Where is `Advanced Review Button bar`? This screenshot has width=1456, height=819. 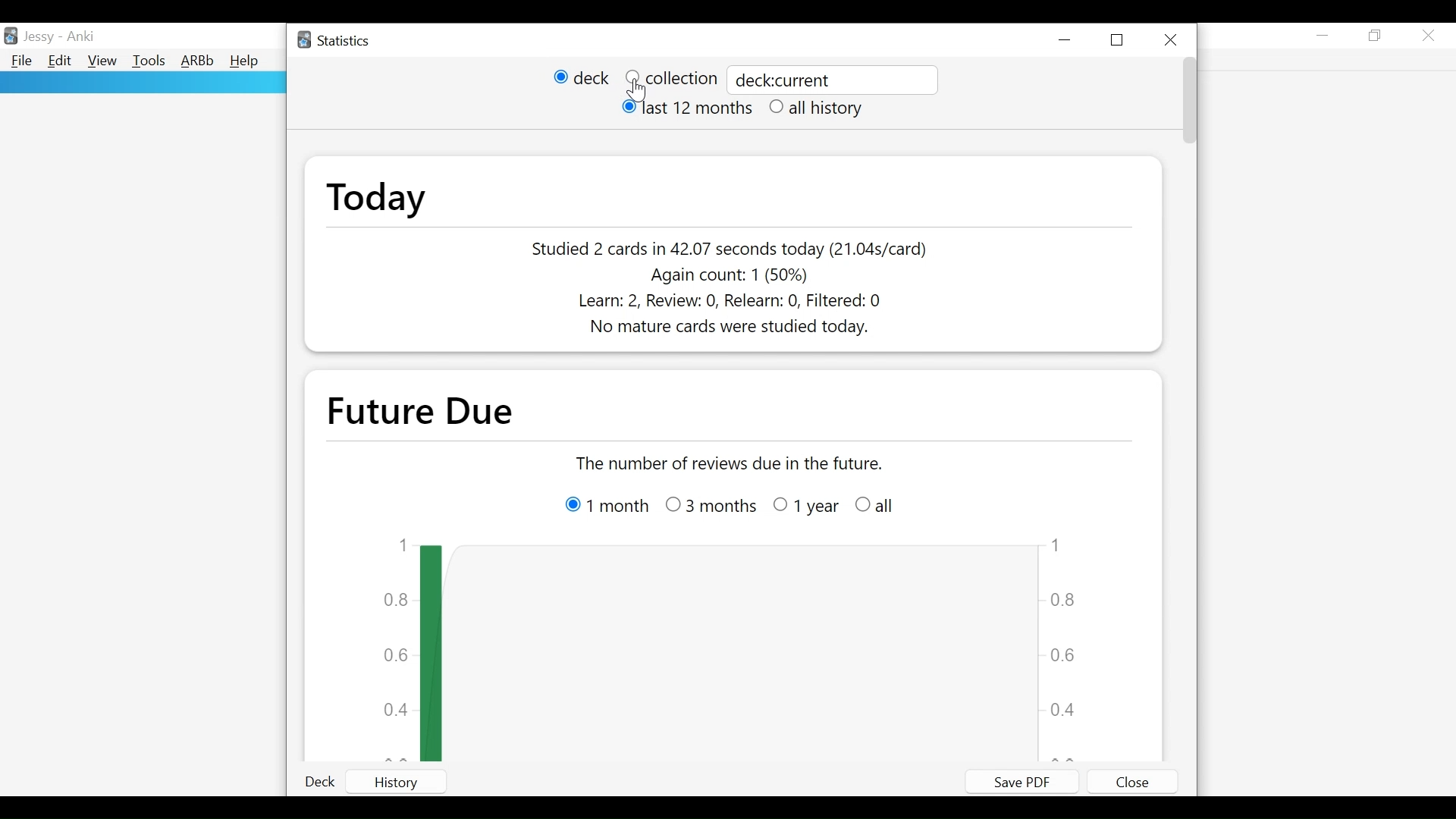 Advanced Review Button bar is located at coordinates (197, 61).